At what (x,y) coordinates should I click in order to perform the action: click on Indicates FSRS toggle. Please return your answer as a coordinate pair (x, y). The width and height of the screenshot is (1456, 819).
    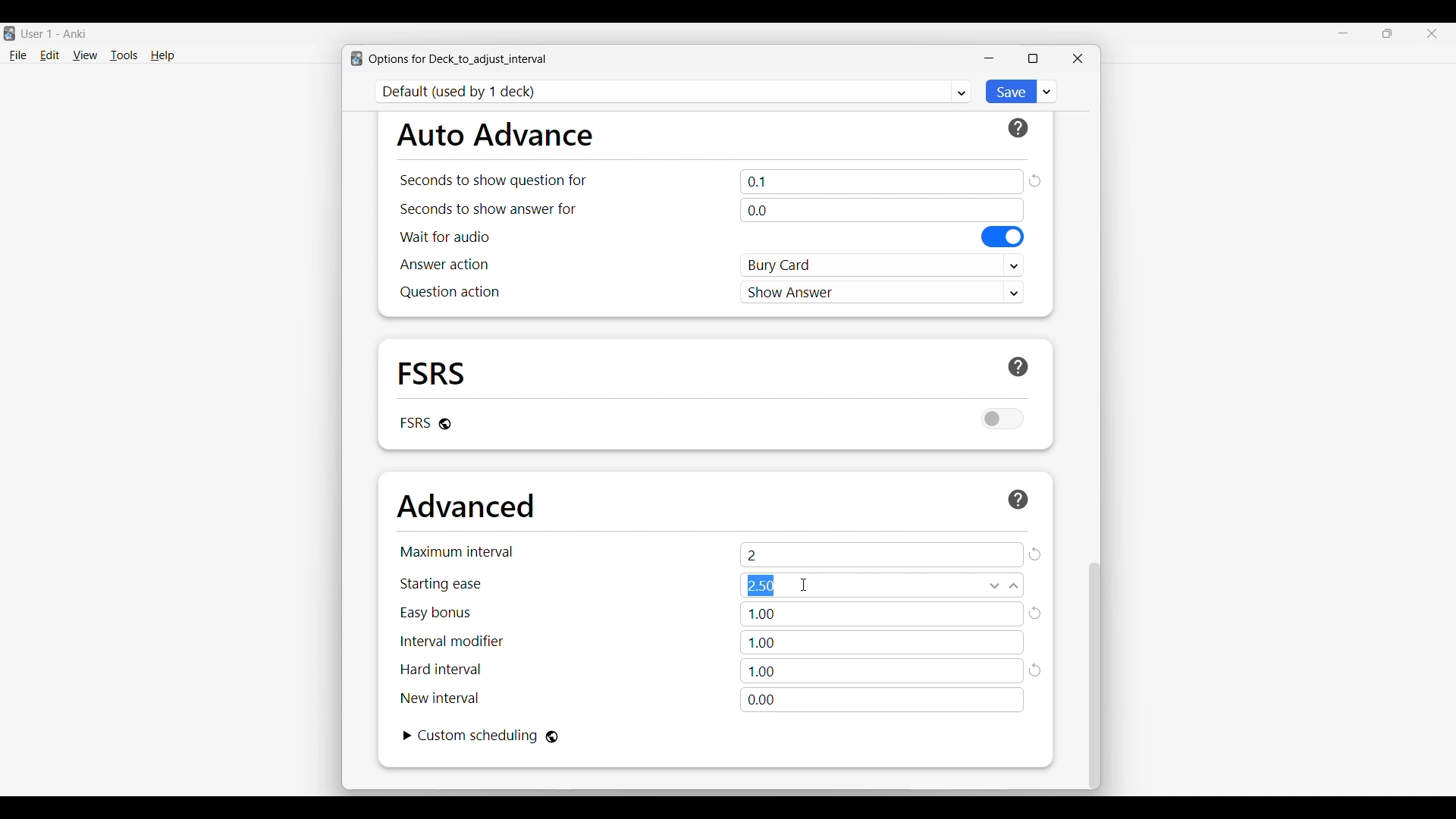
    Looking at the image, I should click on (414, 422).